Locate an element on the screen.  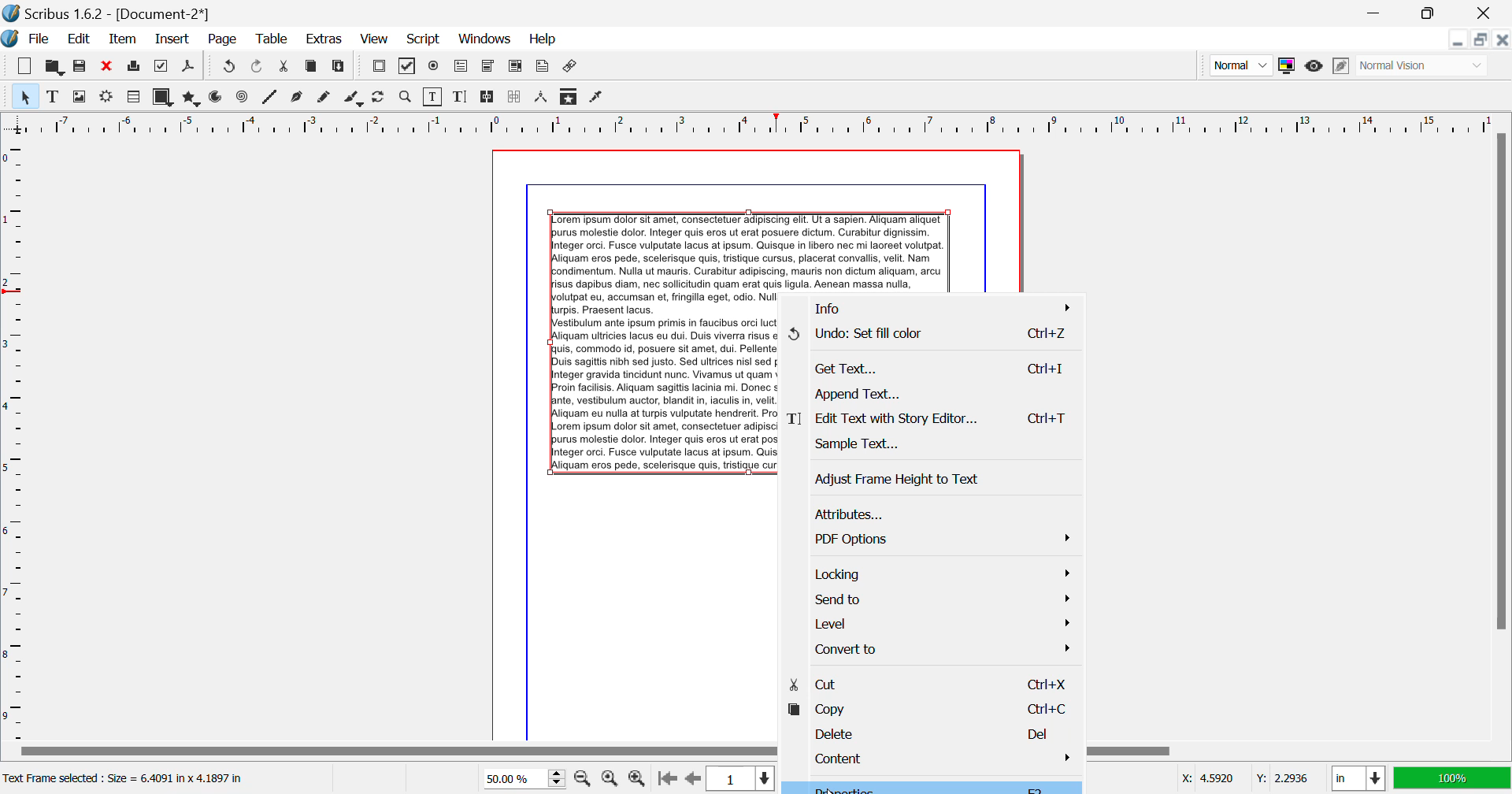
Select is located at coordinates (24, 95).